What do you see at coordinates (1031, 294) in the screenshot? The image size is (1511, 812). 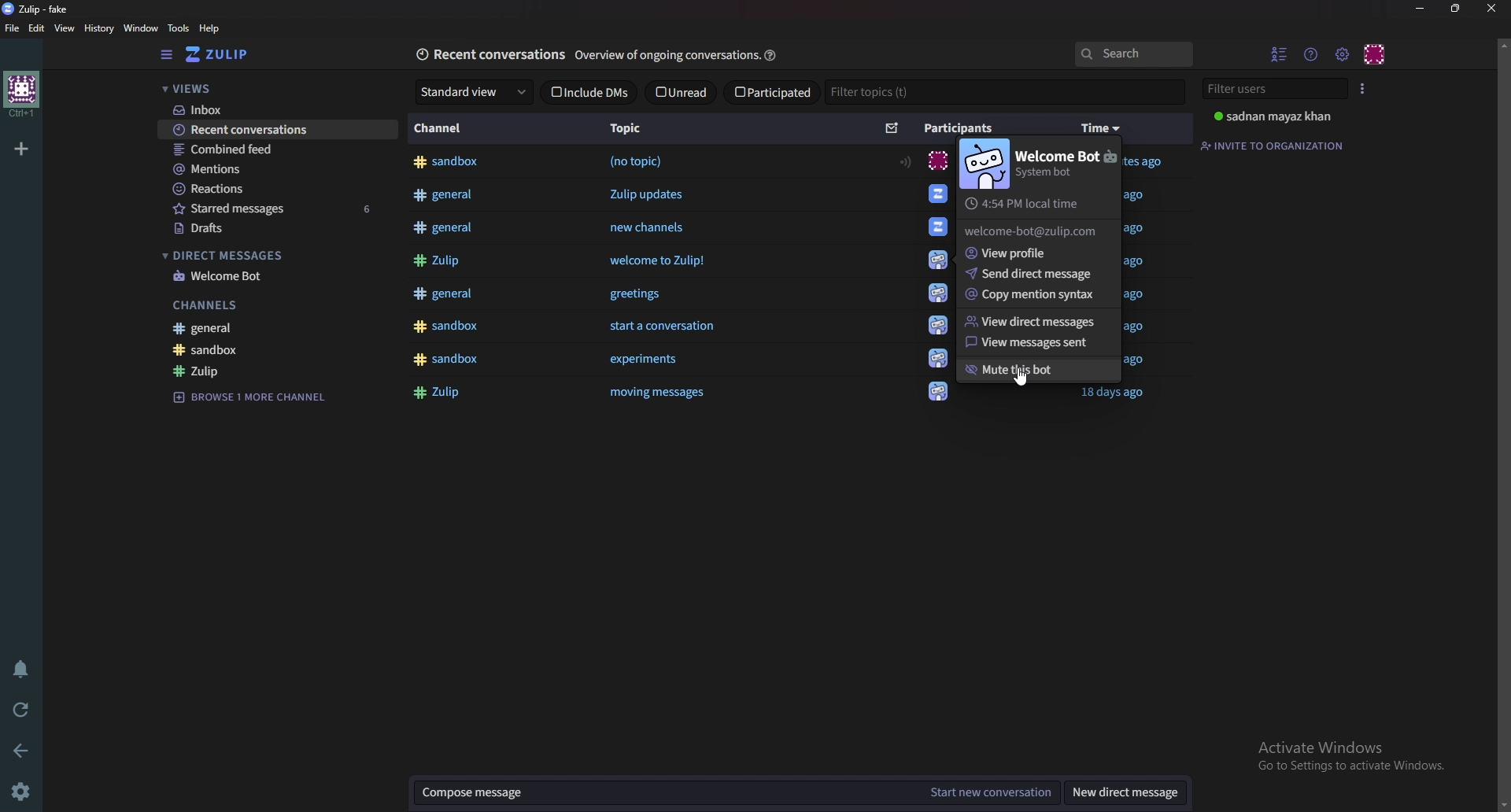 I see `Copy mentions syntax` at bounding box center [1031, 294].